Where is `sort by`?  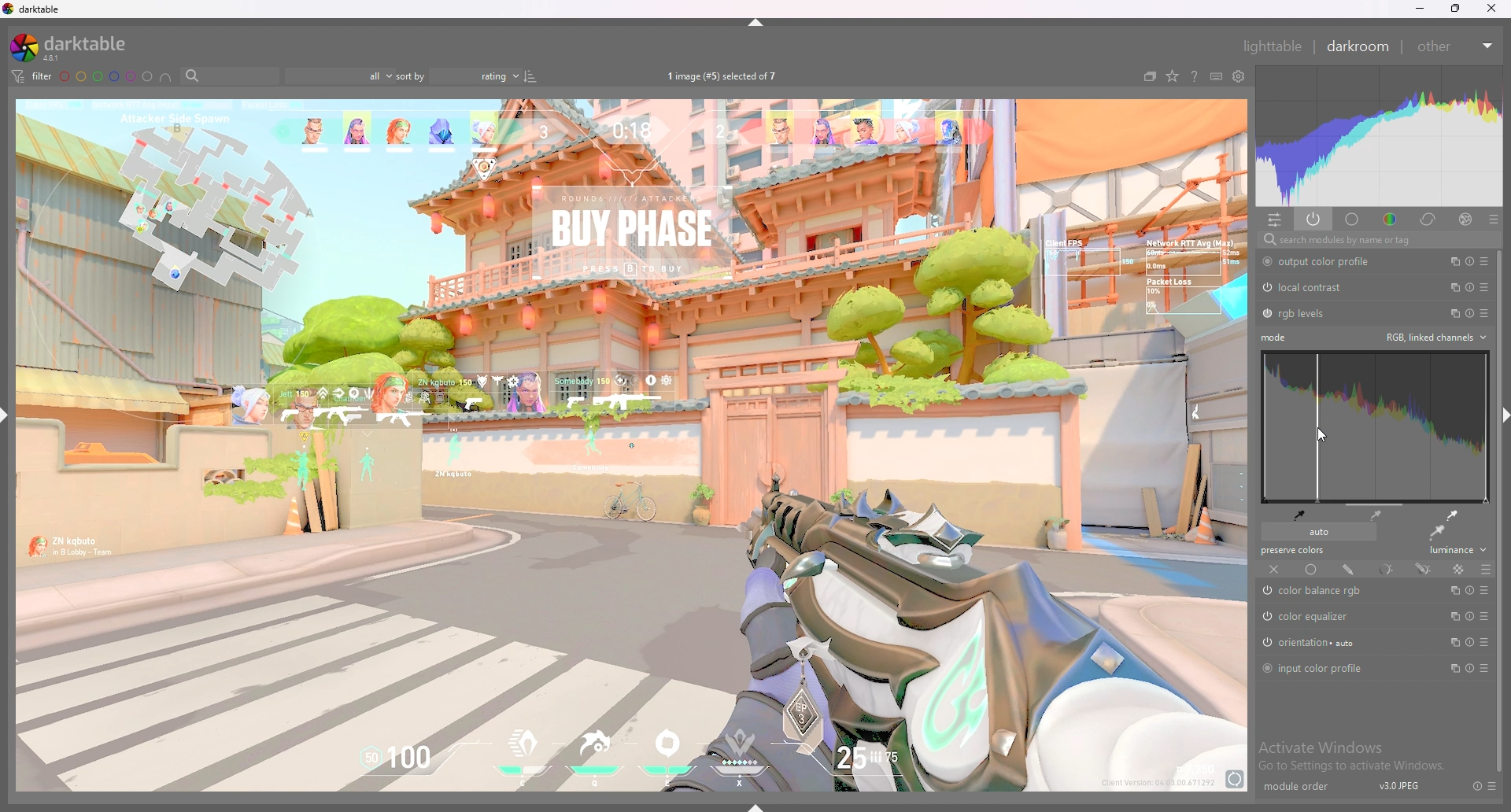
sort by is located at coordinates (457, 76).